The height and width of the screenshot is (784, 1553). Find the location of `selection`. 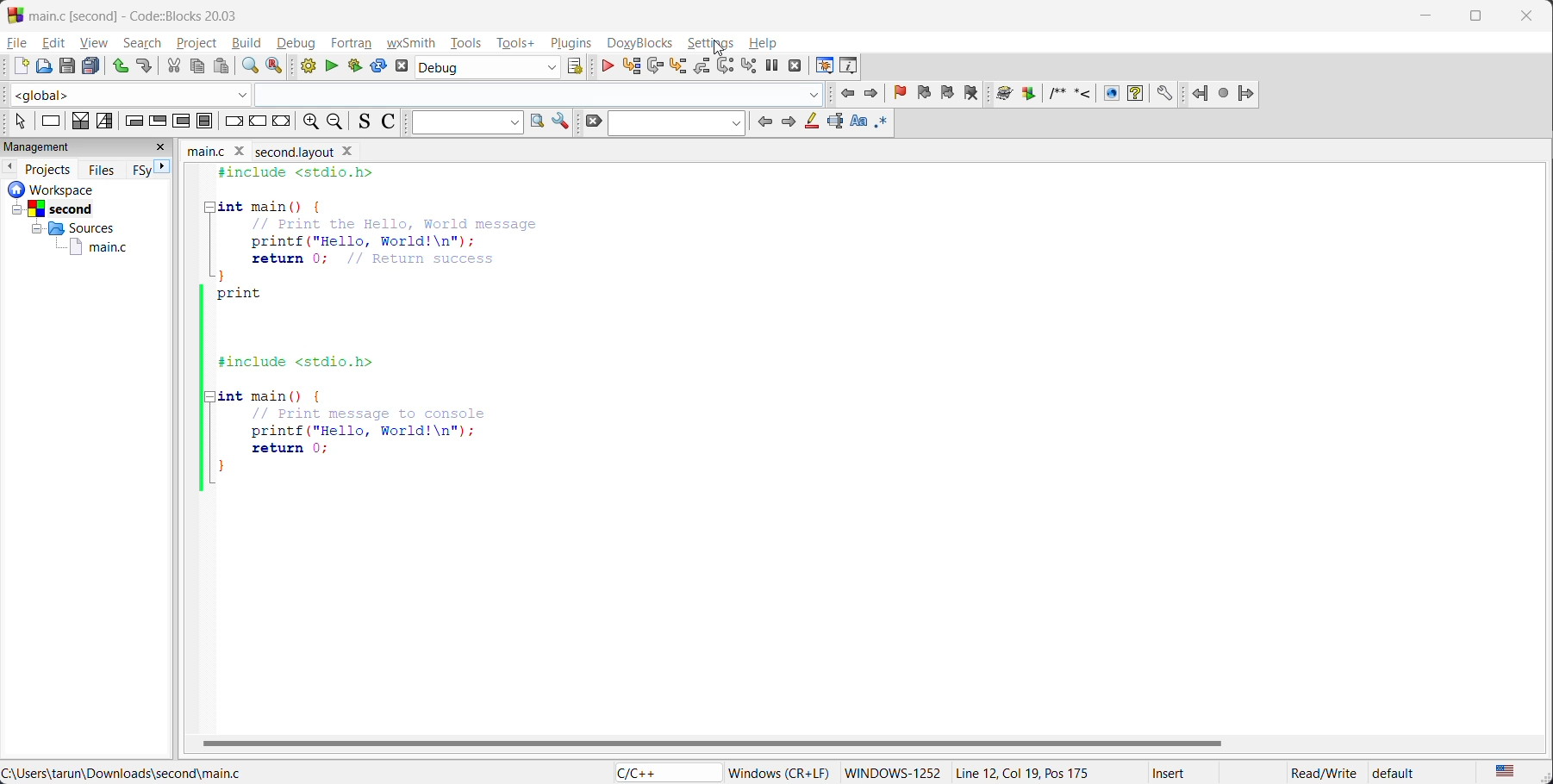

selection is located at coordinates (103, 121).